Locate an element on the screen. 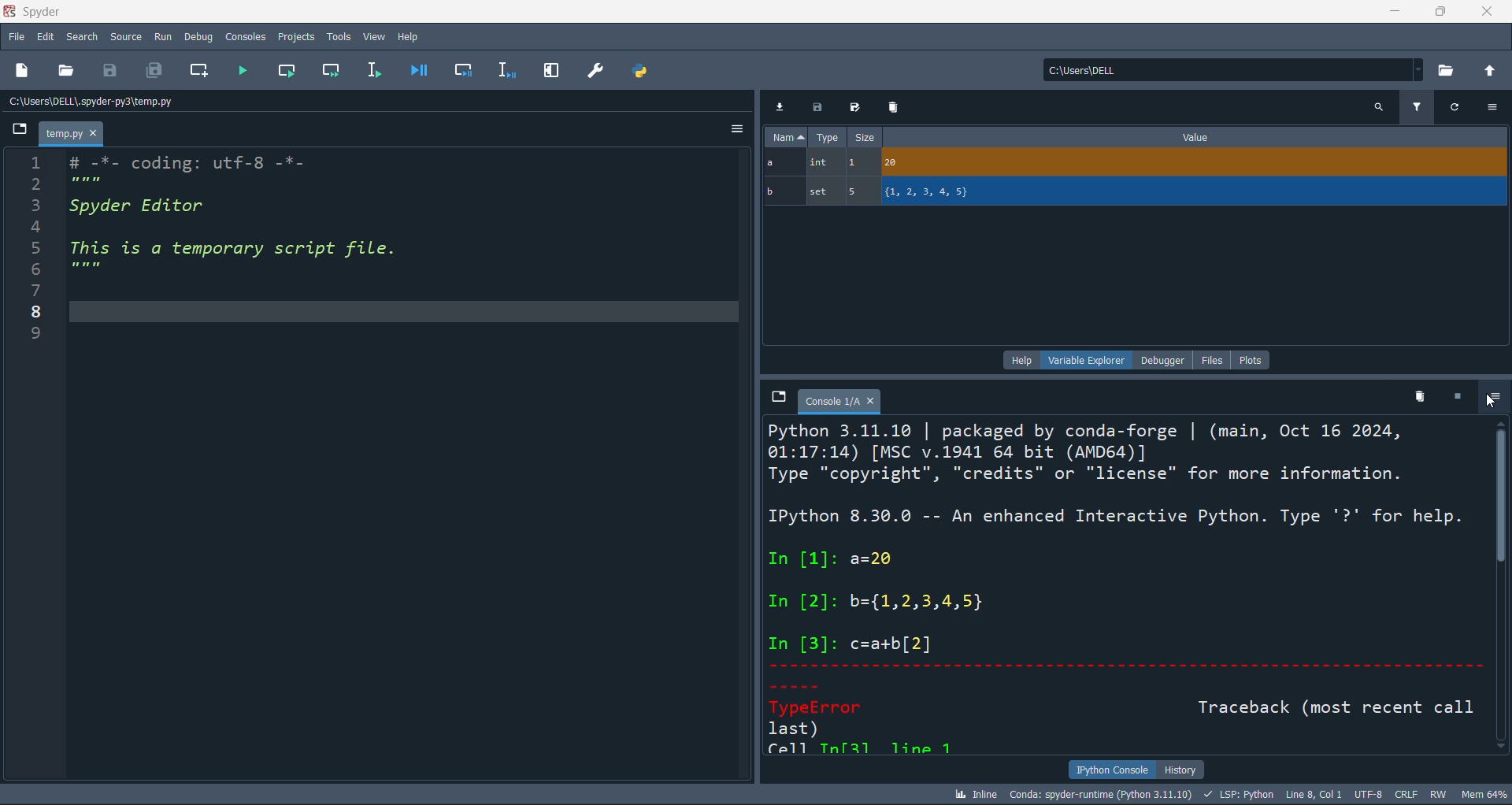 Image resolution: width=1512 pixels, height=805 pixels. browse tabs is located at coordinates (776, 397).